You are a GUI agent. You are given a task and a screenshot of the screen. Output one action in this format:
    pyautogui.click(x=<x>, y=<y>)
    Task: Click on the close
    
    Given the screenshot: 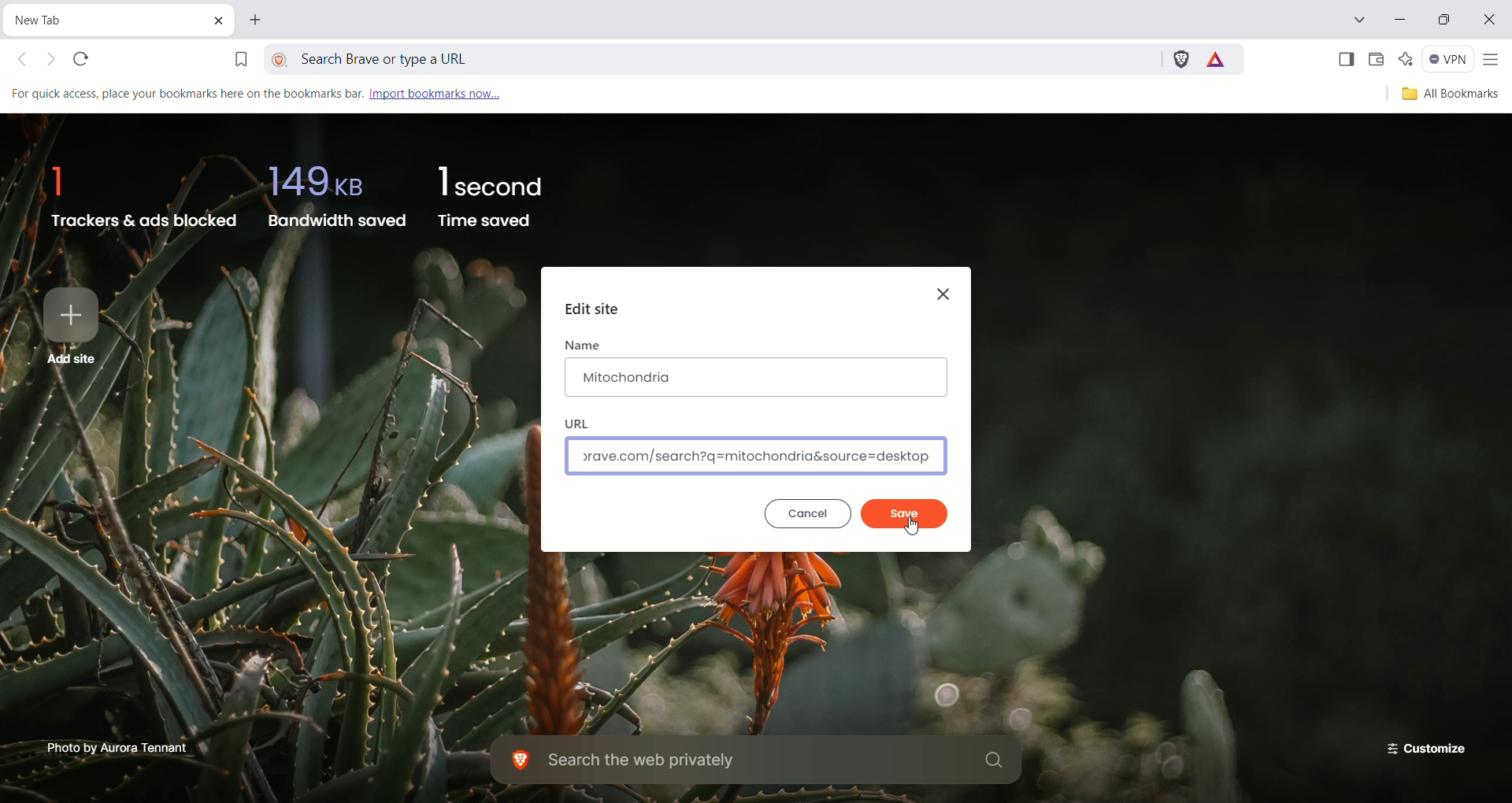 What is the action you would take?
    pyautogui.click(x=1492, y=22)
    